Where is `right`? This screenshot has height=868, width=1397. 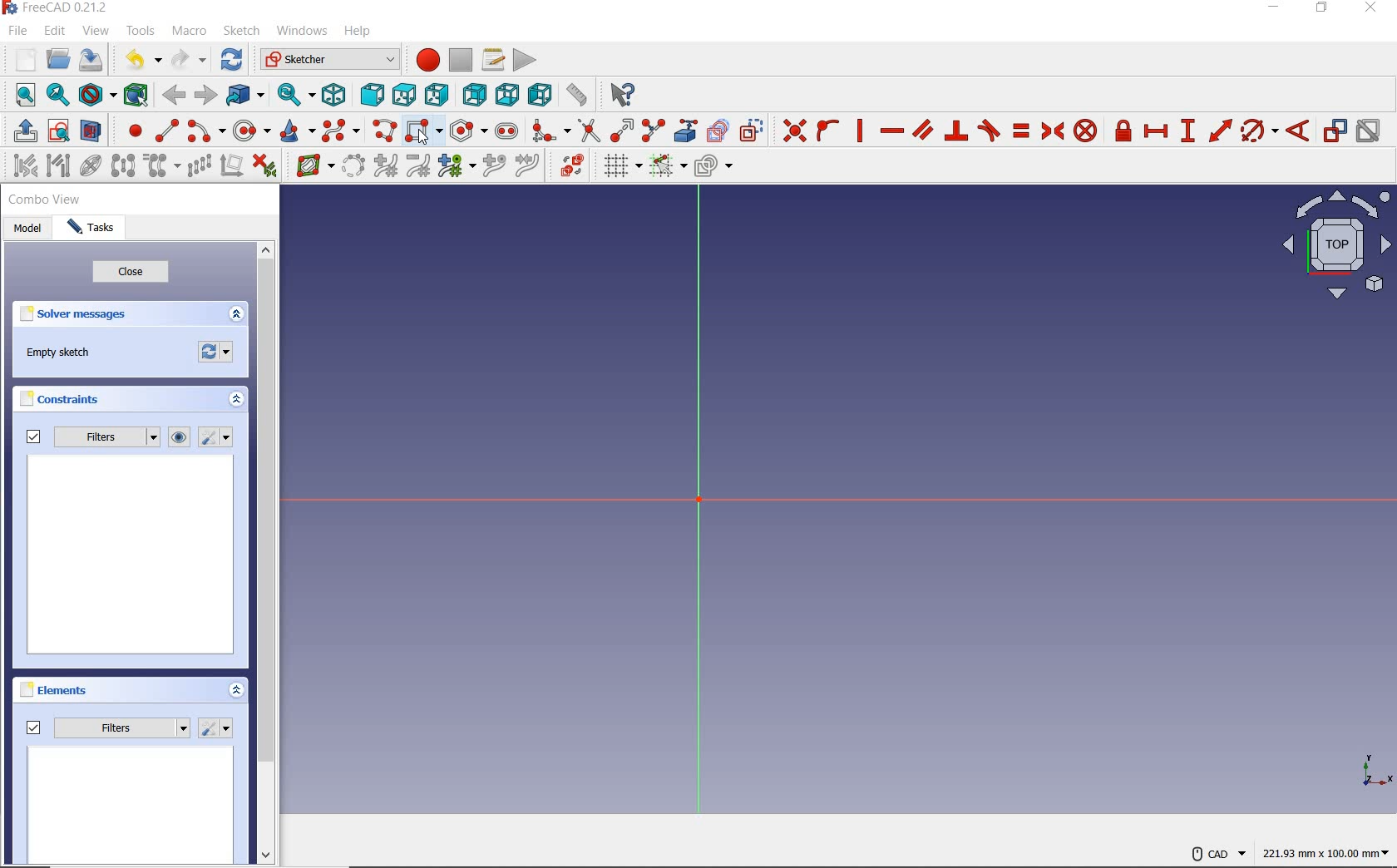 right is located at coordinates (438, 95).